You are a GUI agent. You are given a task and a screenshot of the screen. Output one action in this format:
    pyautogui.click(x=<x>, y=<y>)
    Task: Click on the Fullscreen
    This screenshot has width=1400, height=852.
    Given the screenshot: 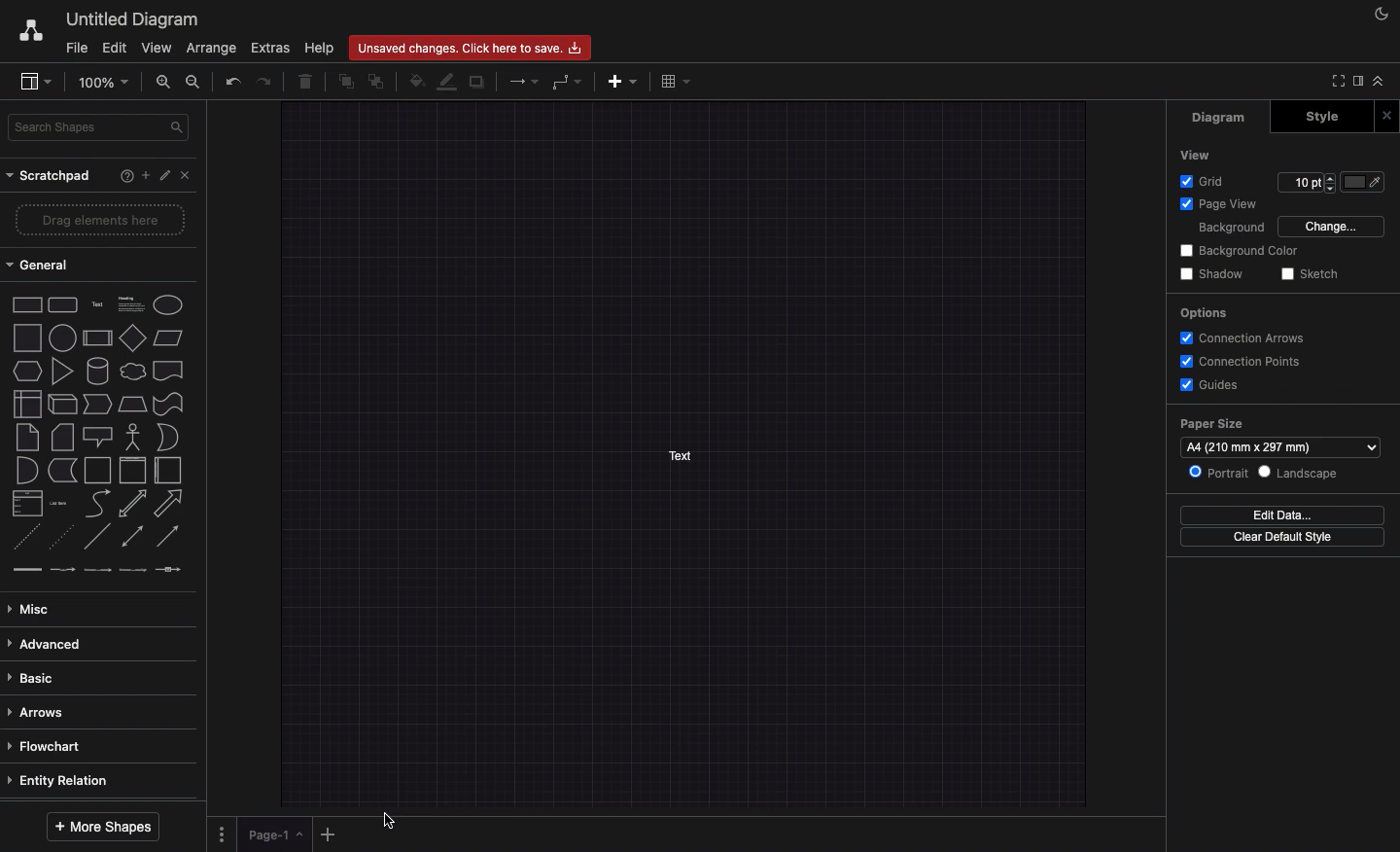 What is the action you would take?
    pyautogui.click(x=1337, y=80)
    